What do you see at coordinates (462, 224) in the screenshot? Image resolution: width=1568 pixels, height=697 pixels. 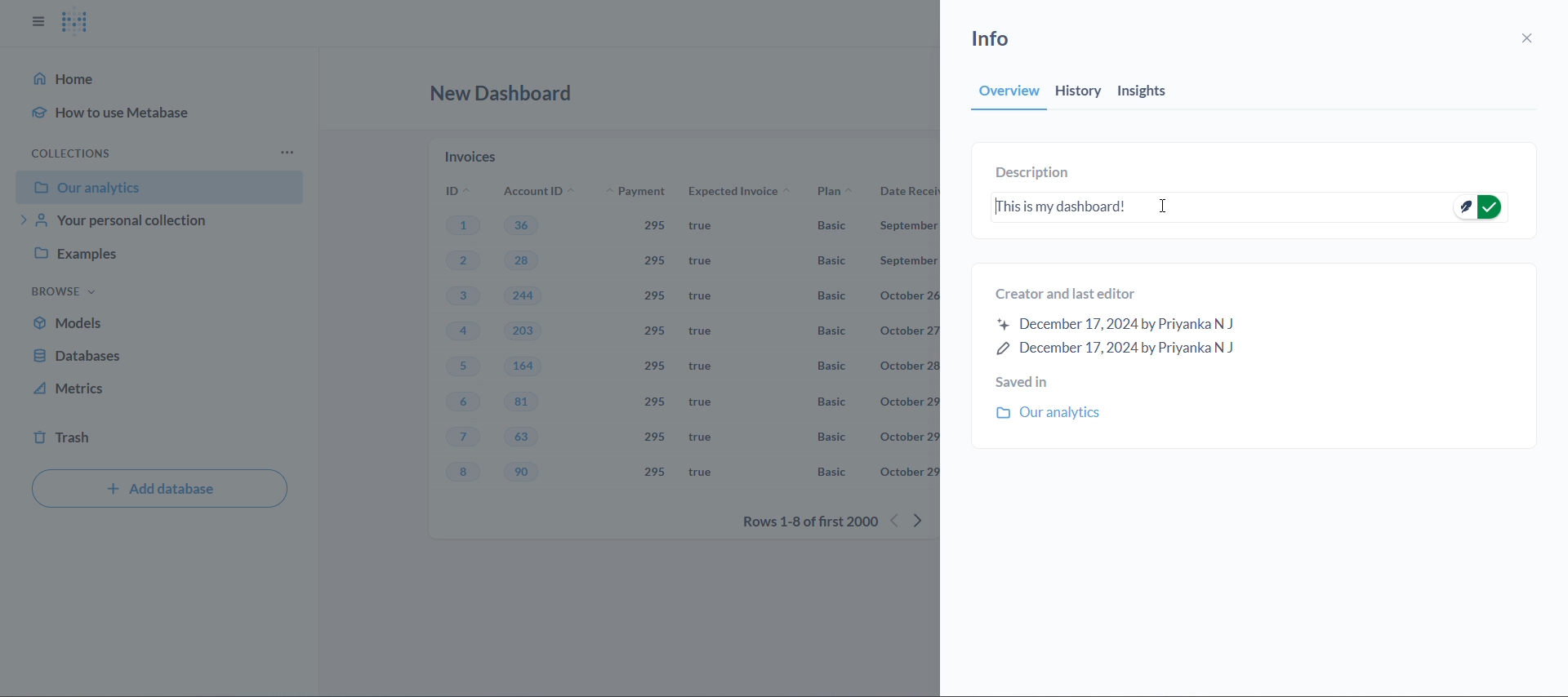 I see `1` at bounding box center [462, 224].